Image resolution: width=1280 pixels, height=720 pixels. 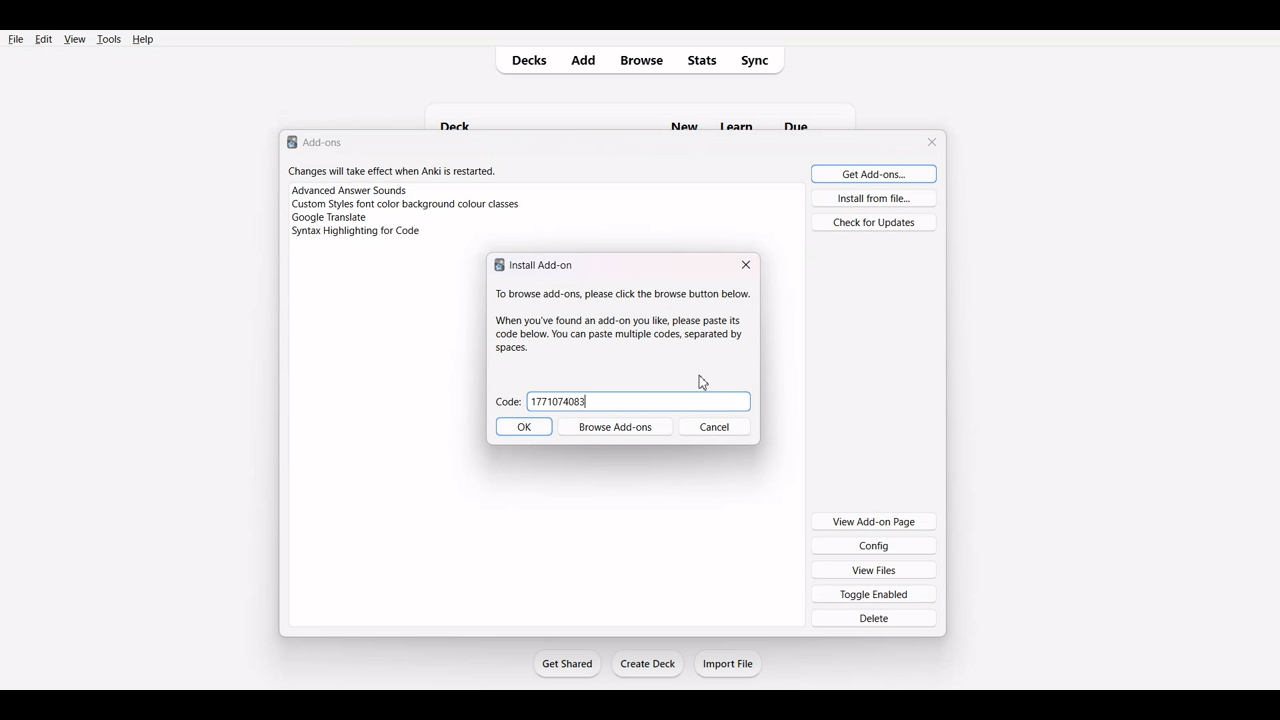 What do you see at coordinates (870, 173) in the screenshot?
I see `Get Add-ons` at bounding box center [870, 173].